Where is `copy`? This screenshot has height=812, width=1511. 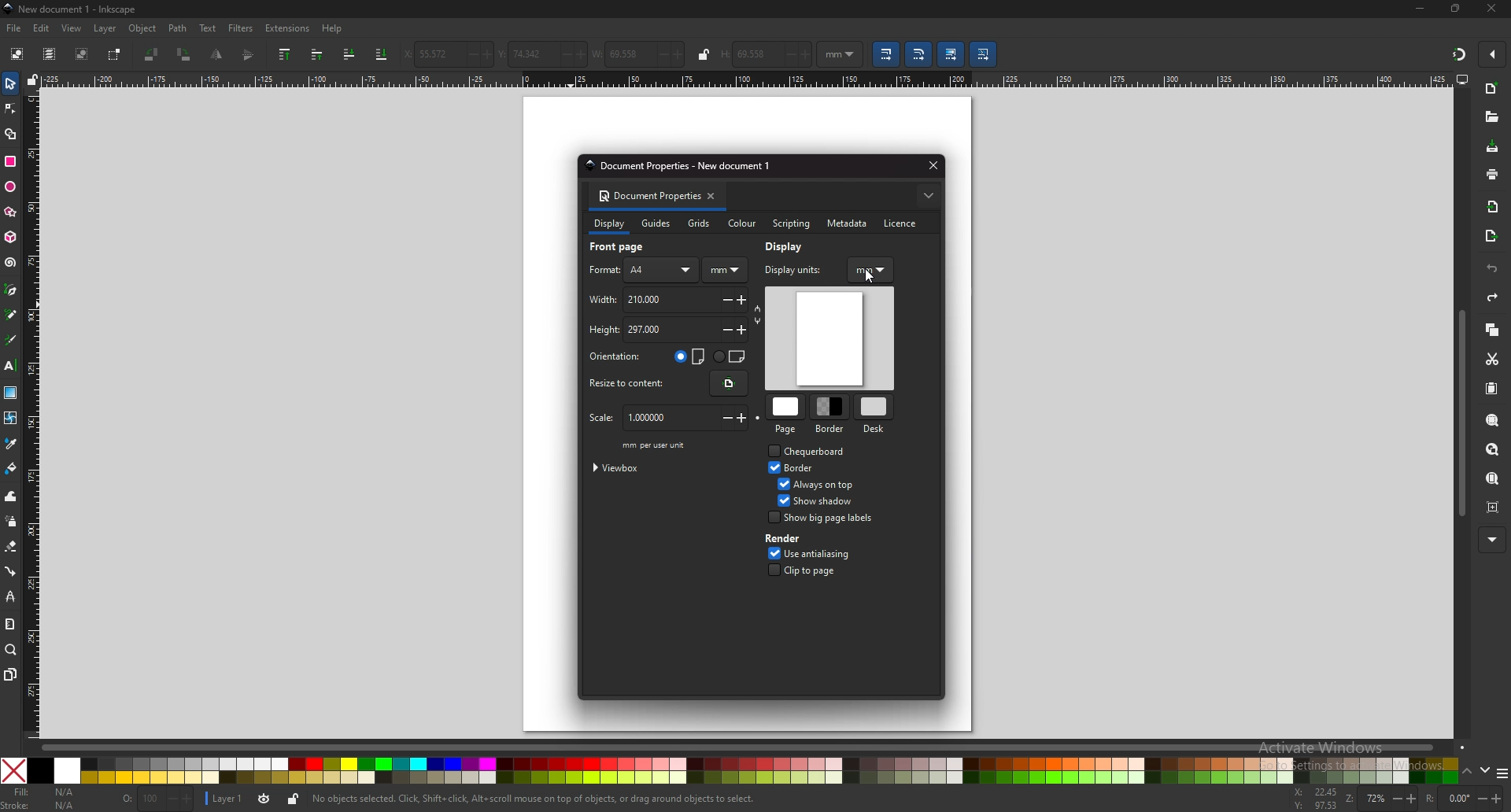
copy is located at coordinates (1493, 330).